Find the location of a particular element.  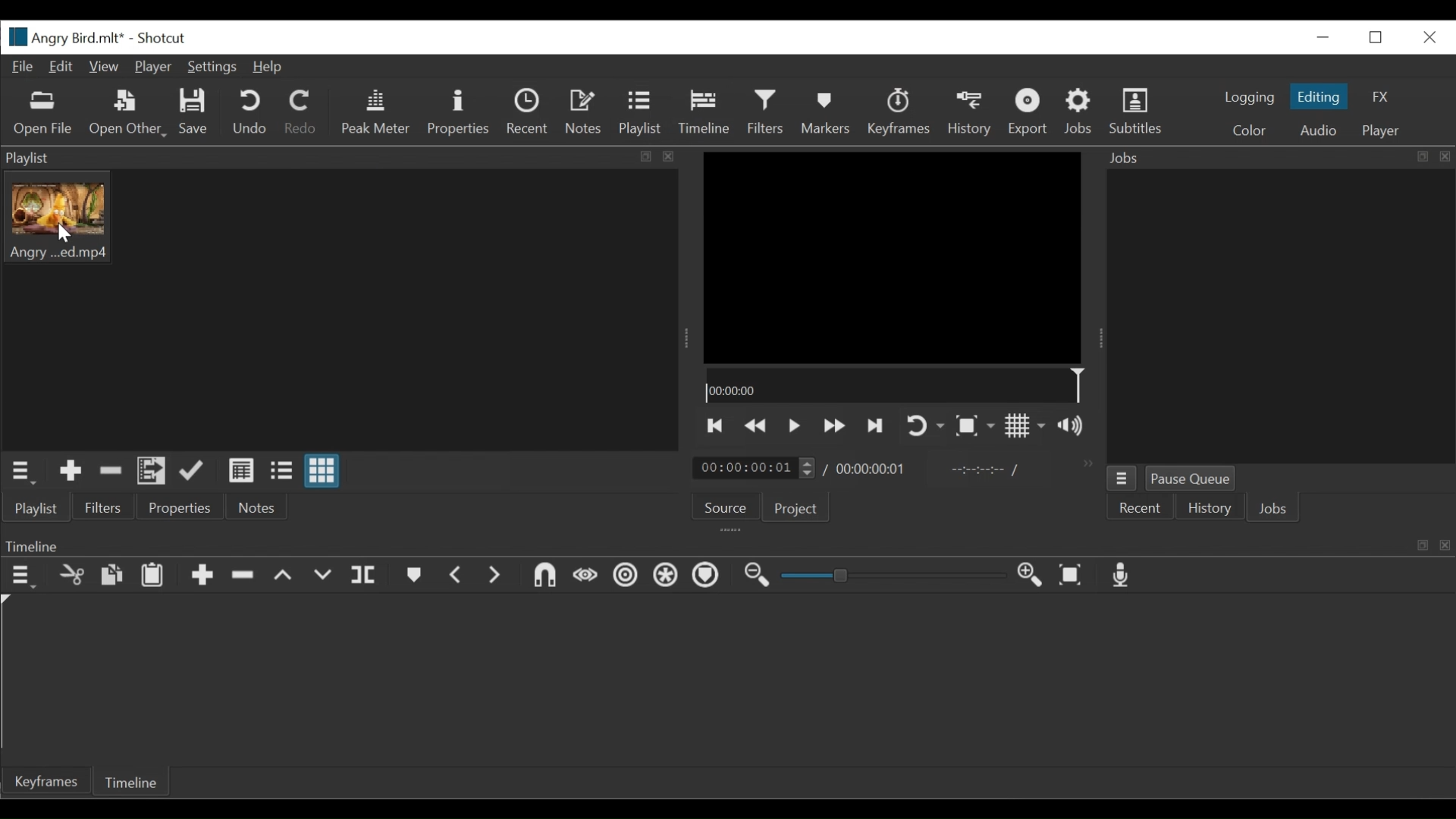

Record audio is located at coordinates (1120, 577).